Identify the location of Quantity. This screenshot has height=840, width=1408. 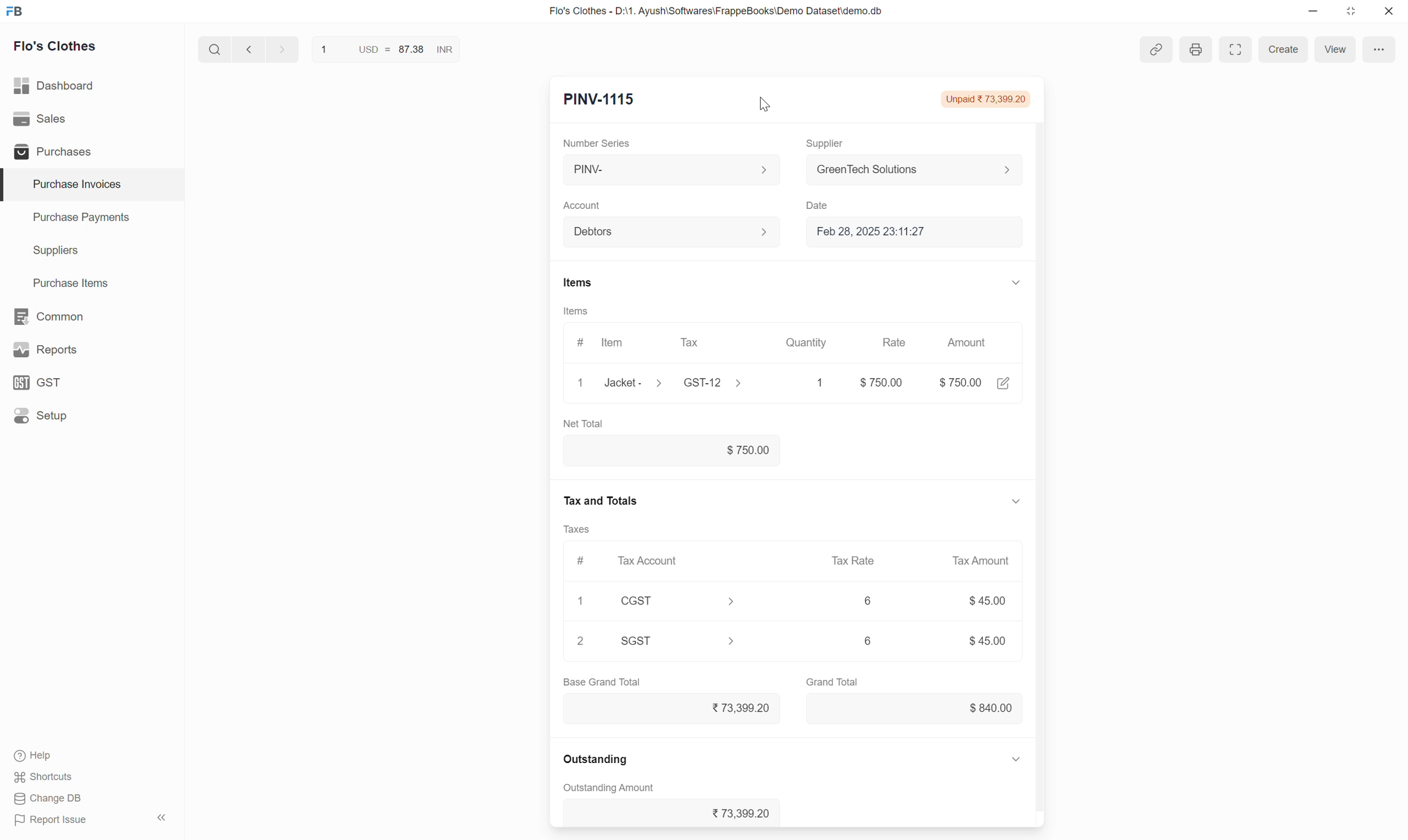
(807, 342).